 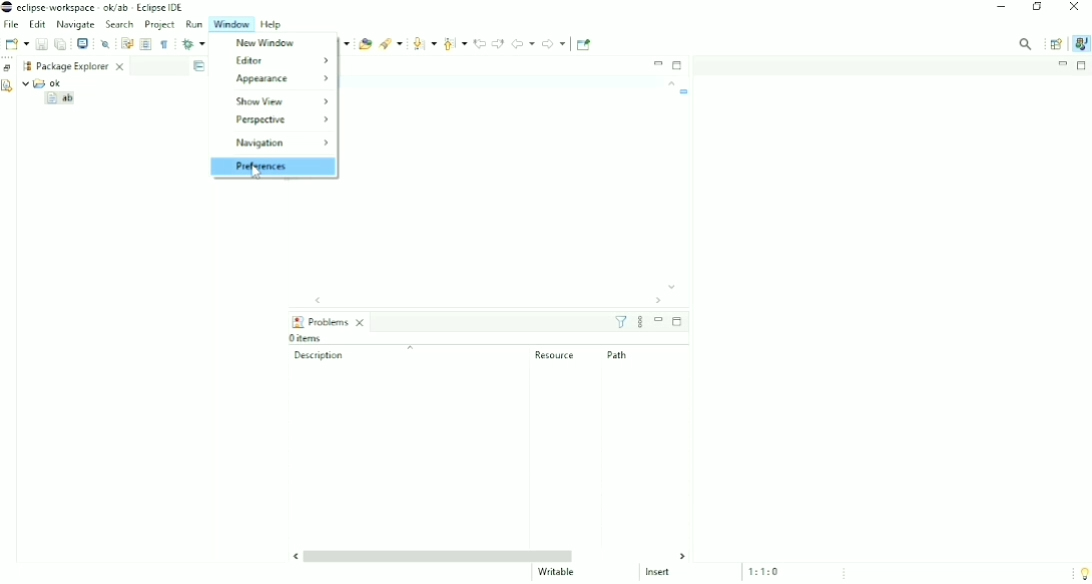 What do you see at coordinates (198, 66) in the screenshot?
I see `Collapse All` at bounding box center [198, 66].